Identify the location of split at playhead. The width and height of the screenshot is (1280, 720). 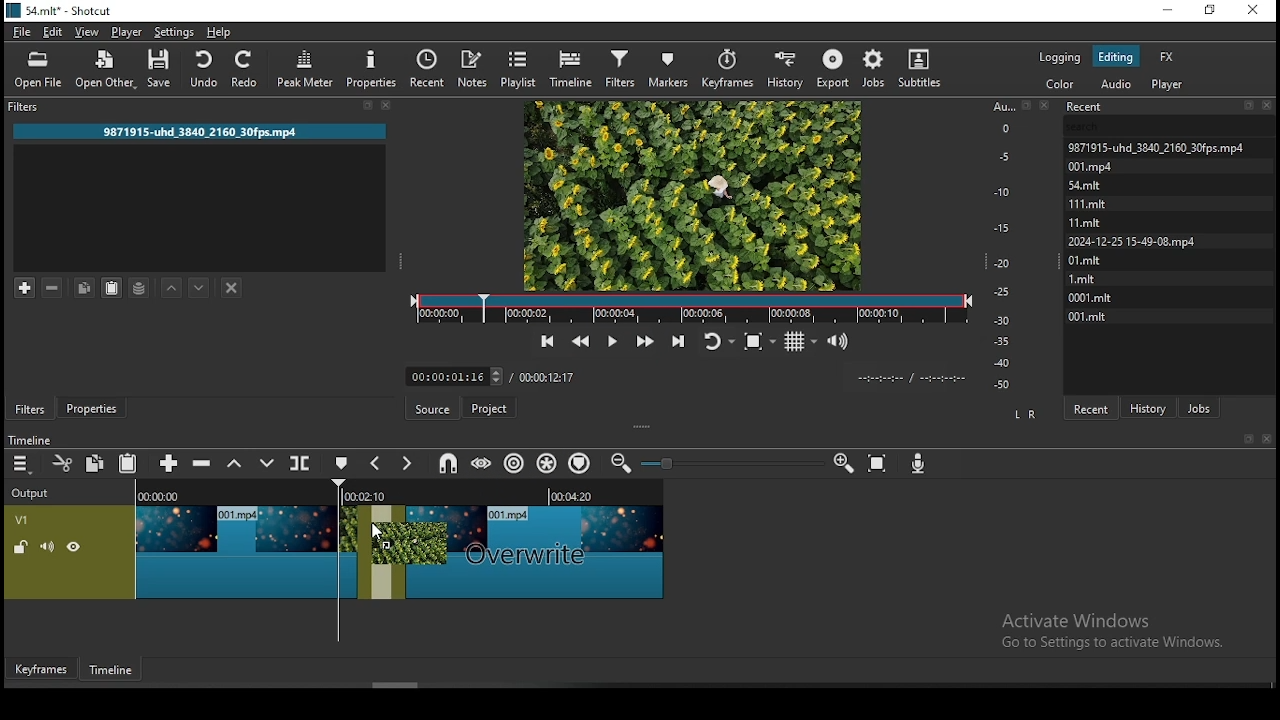
(299, 464).